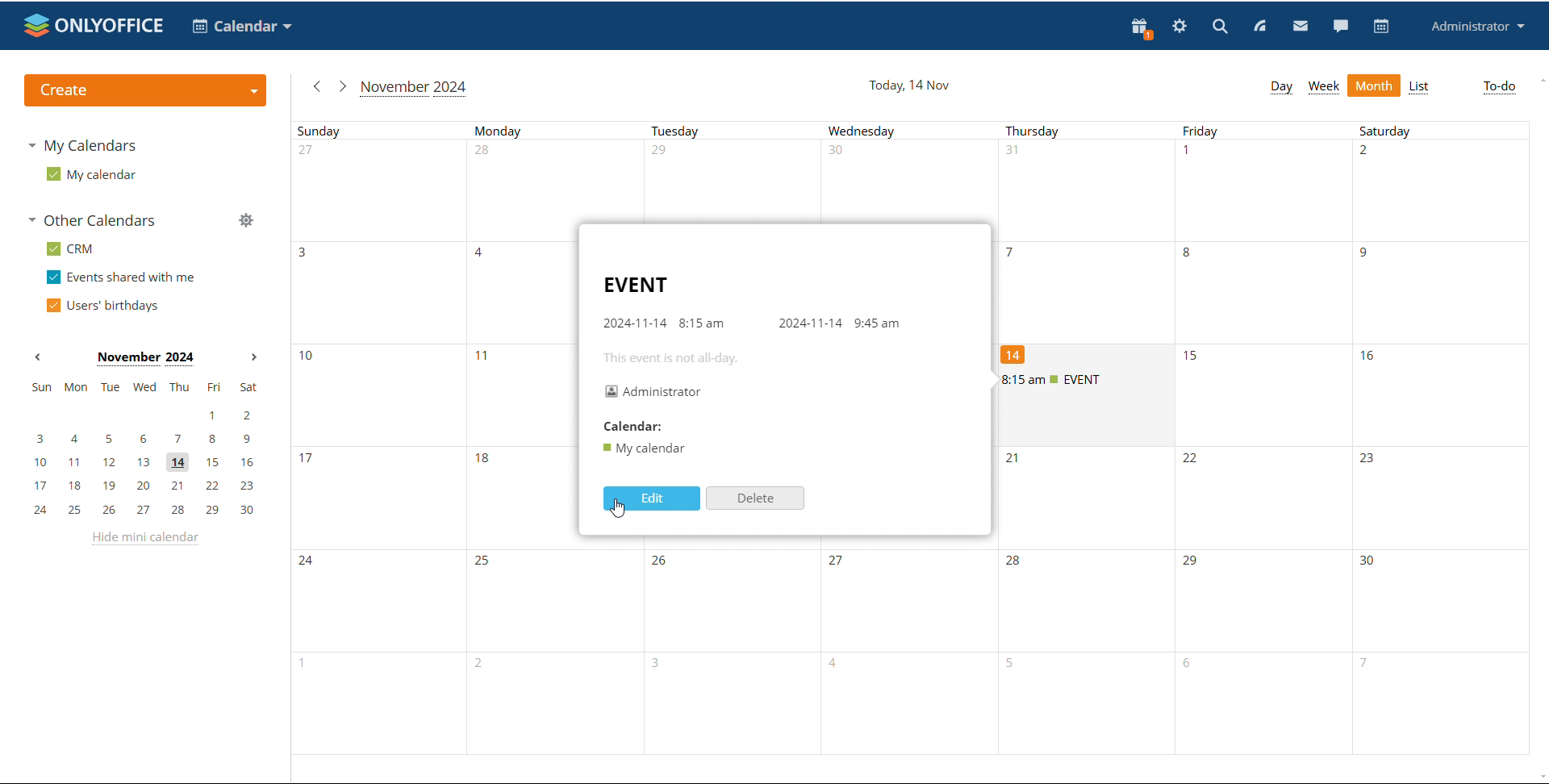 Image resolution: width=1549 pixels, height=784 pixels. I want to click on month view, so click(1375, 85).